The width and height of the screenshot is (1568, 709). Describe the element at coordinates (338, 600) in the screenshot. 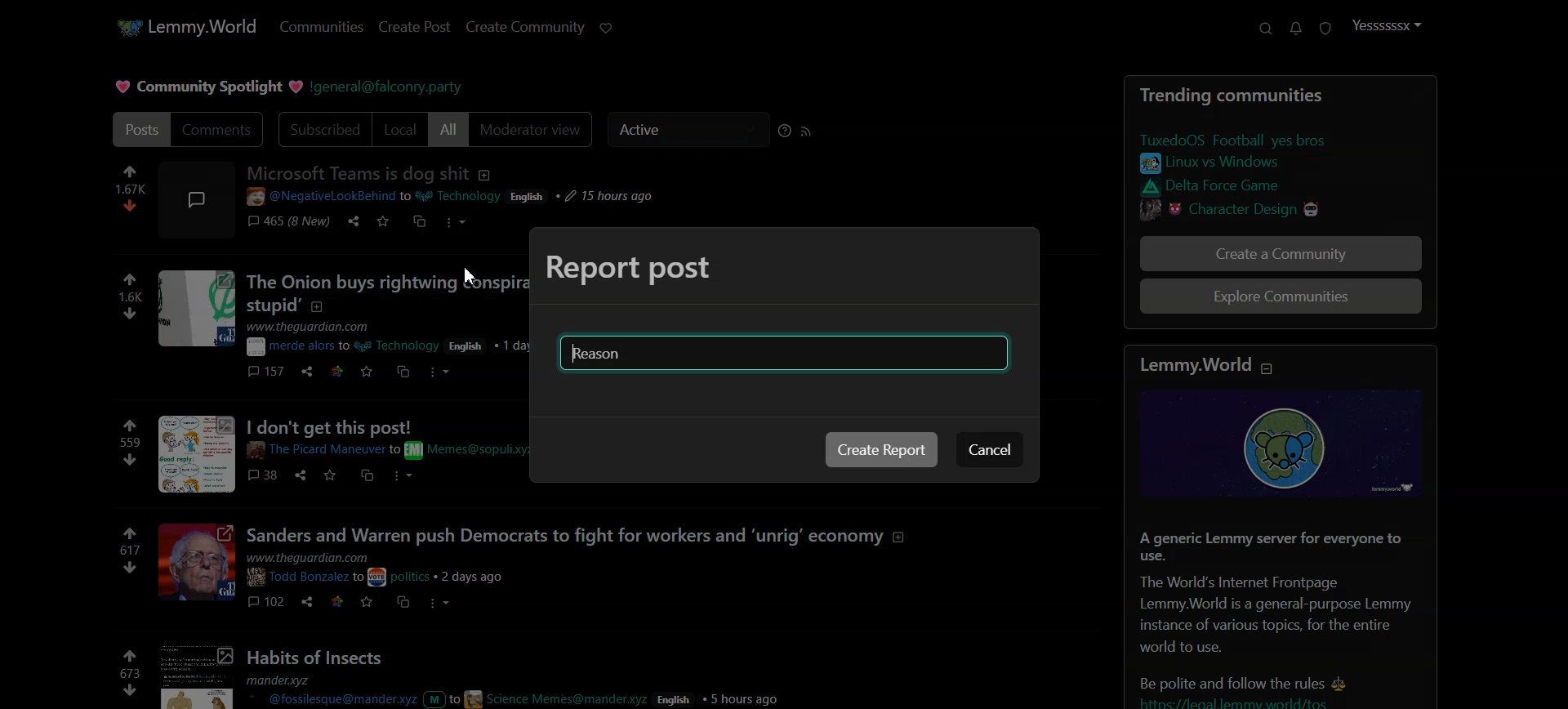

I see `link` at that location.